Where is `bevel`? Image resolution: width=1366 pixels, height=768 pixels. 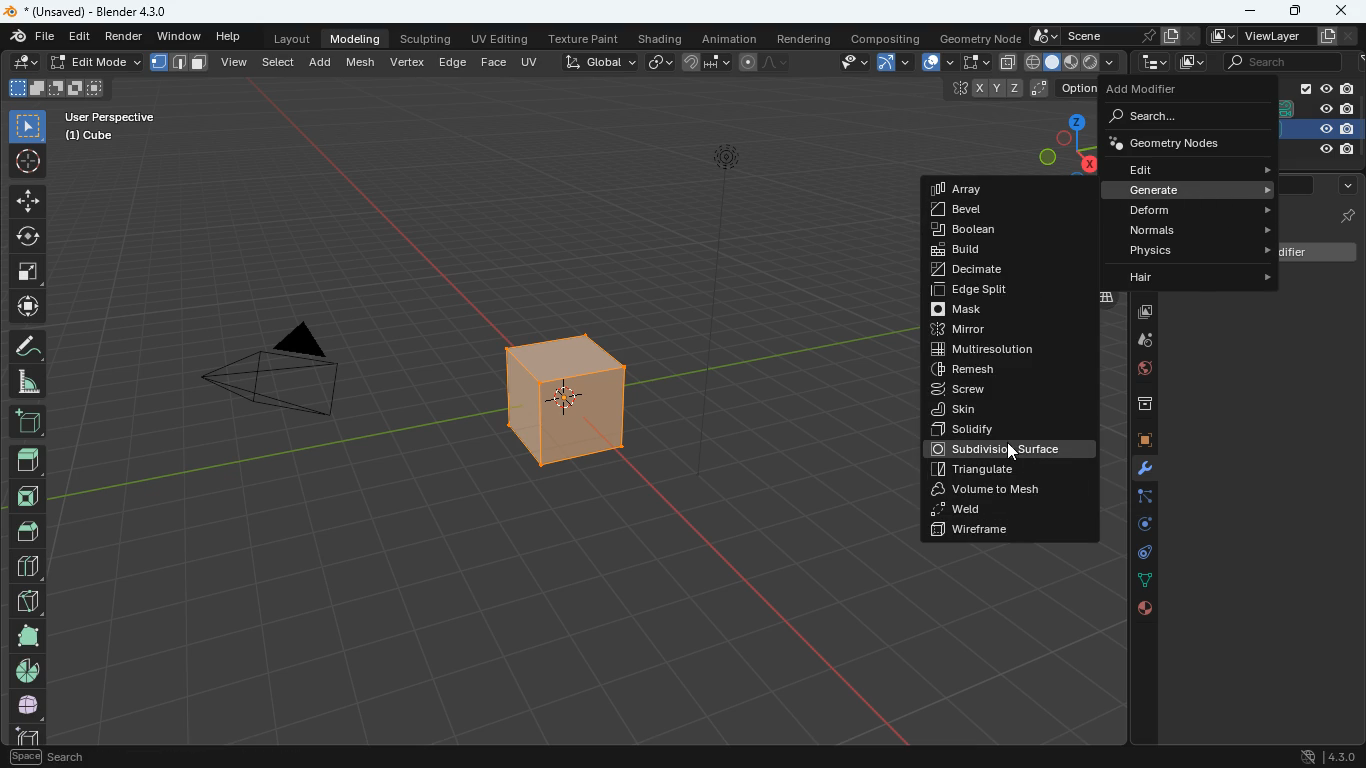
bevel is located at coordinates (976, 211).